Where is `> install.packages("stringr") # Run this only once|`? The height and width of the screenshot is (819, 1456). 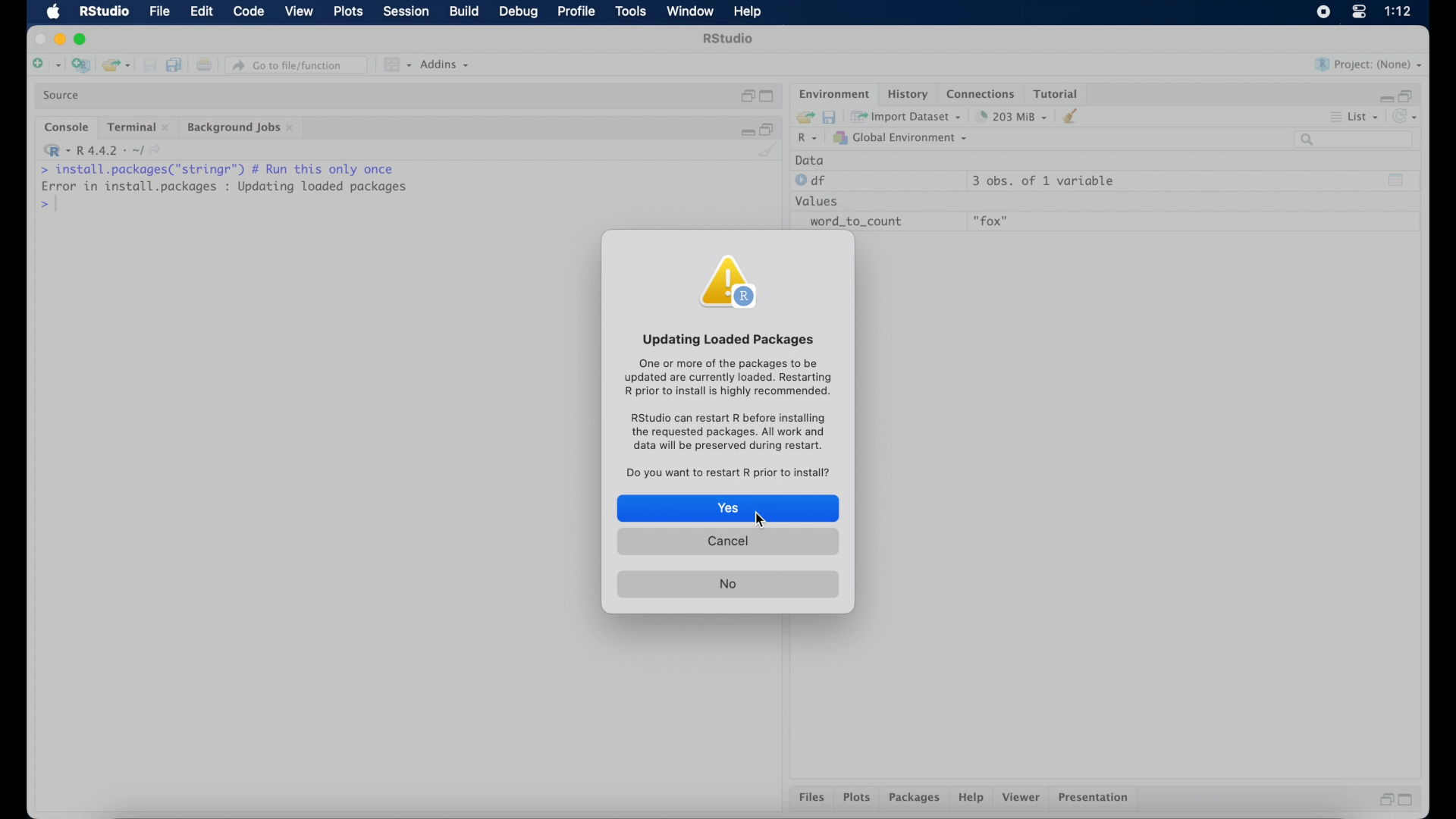
> install.packages("stringr") # Run this only once| is located at coordinates (221, 168).